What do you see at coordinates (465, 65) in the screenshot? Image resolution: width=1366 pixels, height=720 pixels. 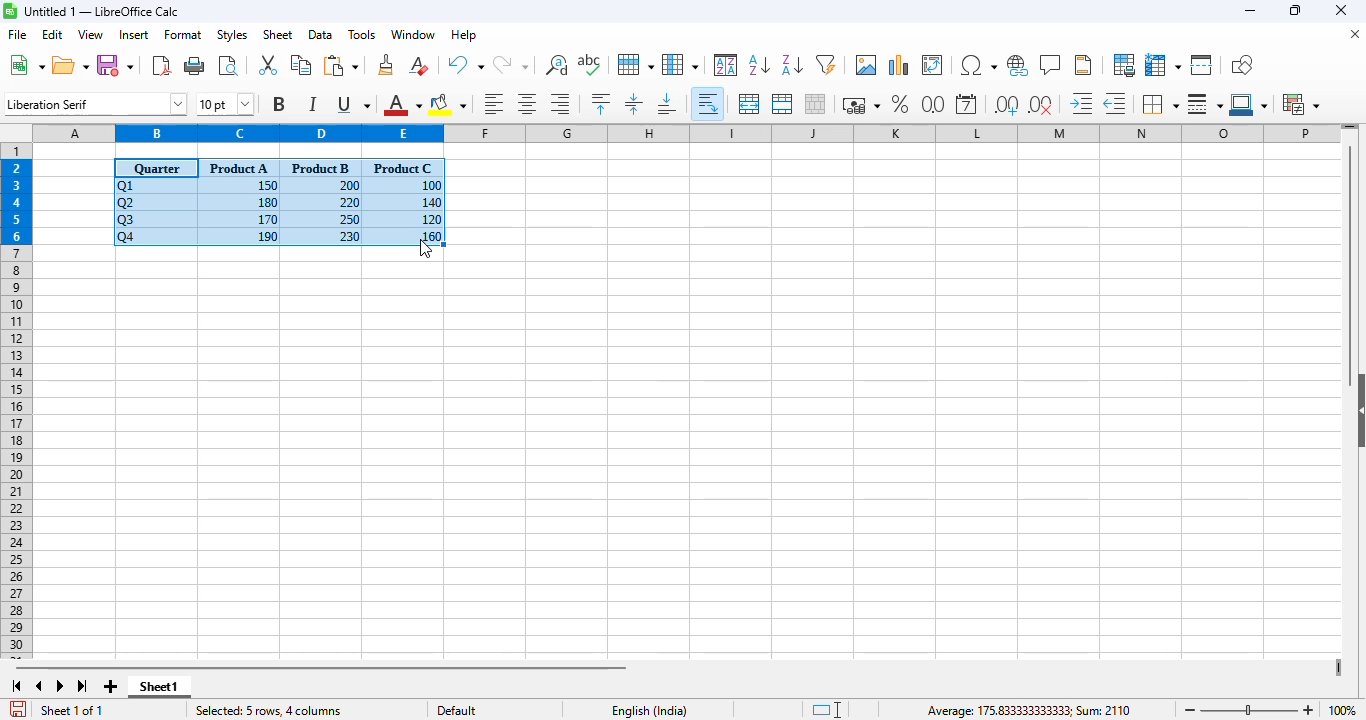 I see `undo` at bounding box center [465, 65].